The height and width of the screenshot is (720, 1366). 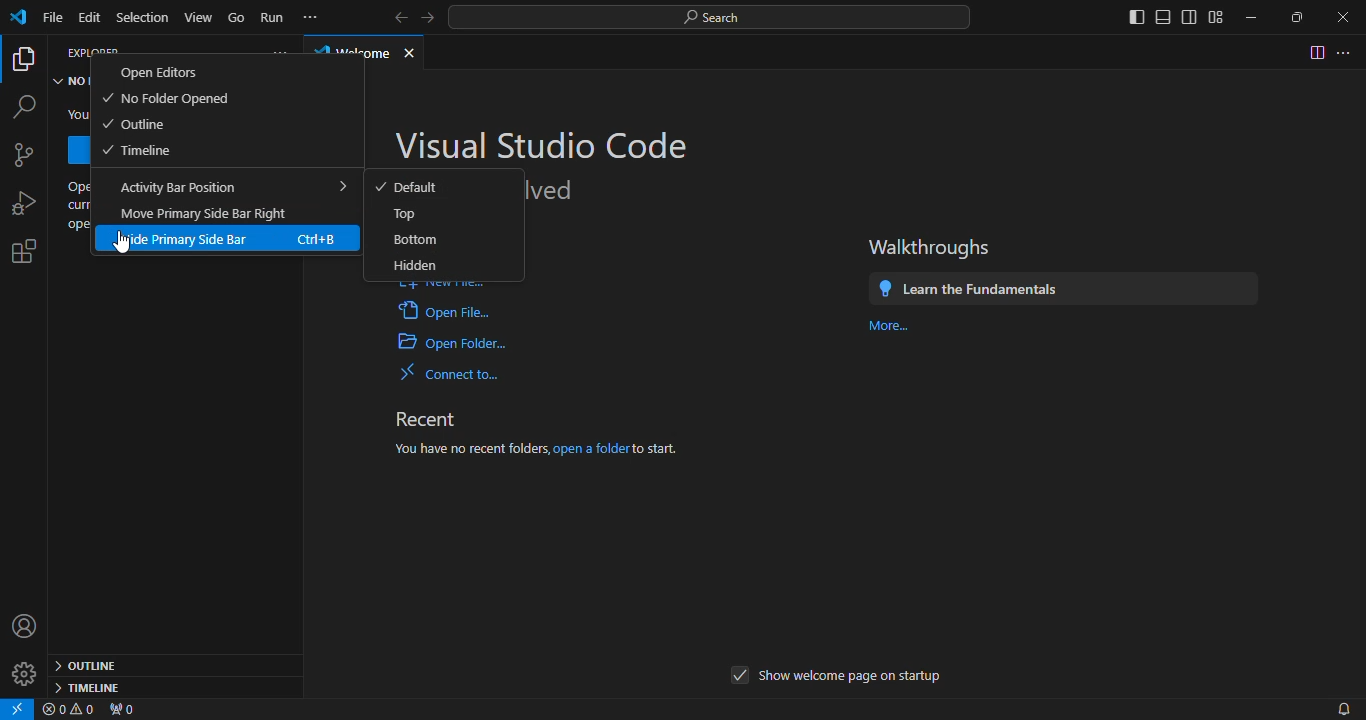 What do you see at coordinates (976, 285) in the screenshot?
I see `Learn the Fundamentals` at bounding box center [976, 285].